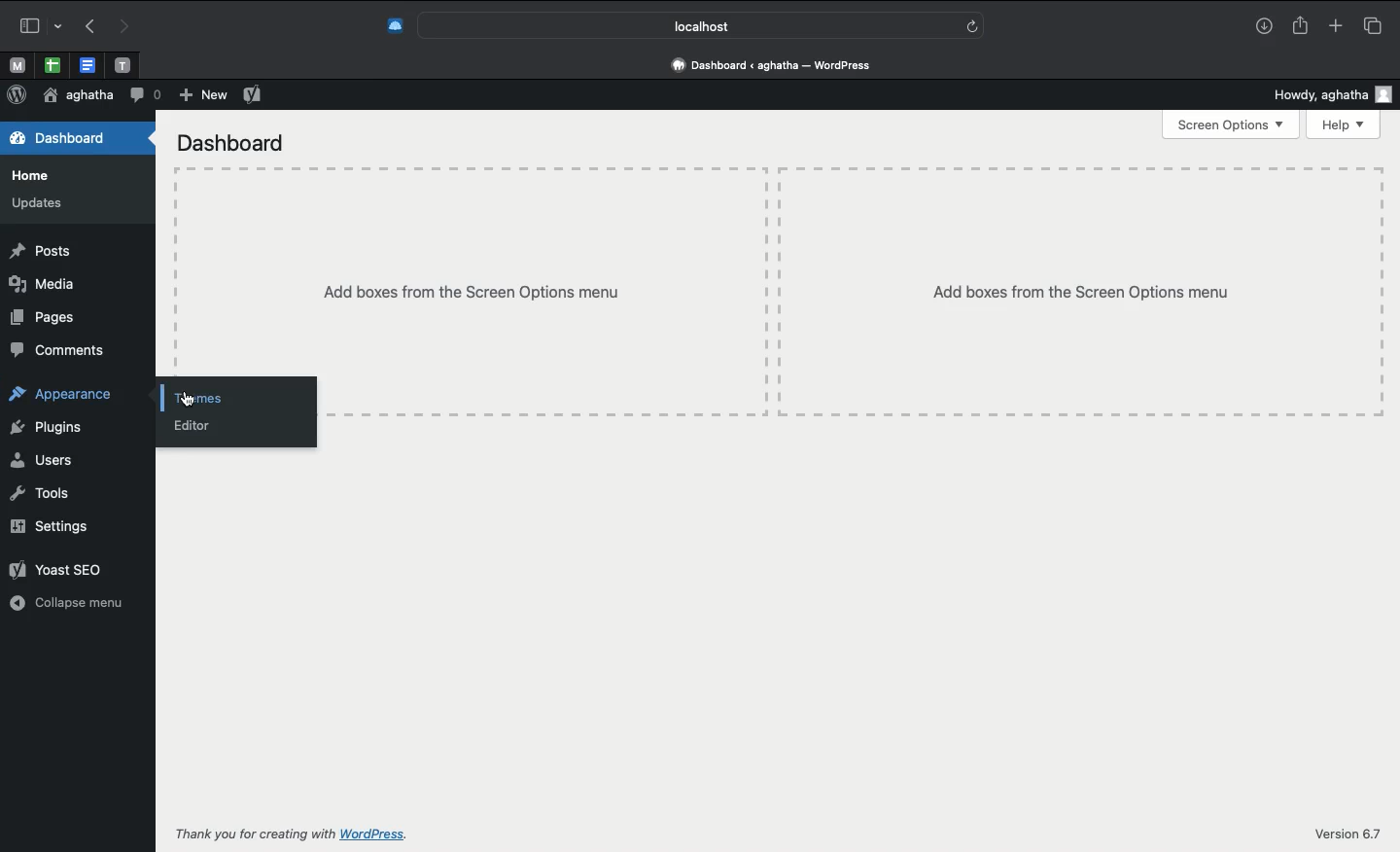 The width and height of the screenshot is (1400, 852). What do you see at coordinates (60, 139) in the screenshot?
I see `Dashboard` at bounding box center [60, 139].